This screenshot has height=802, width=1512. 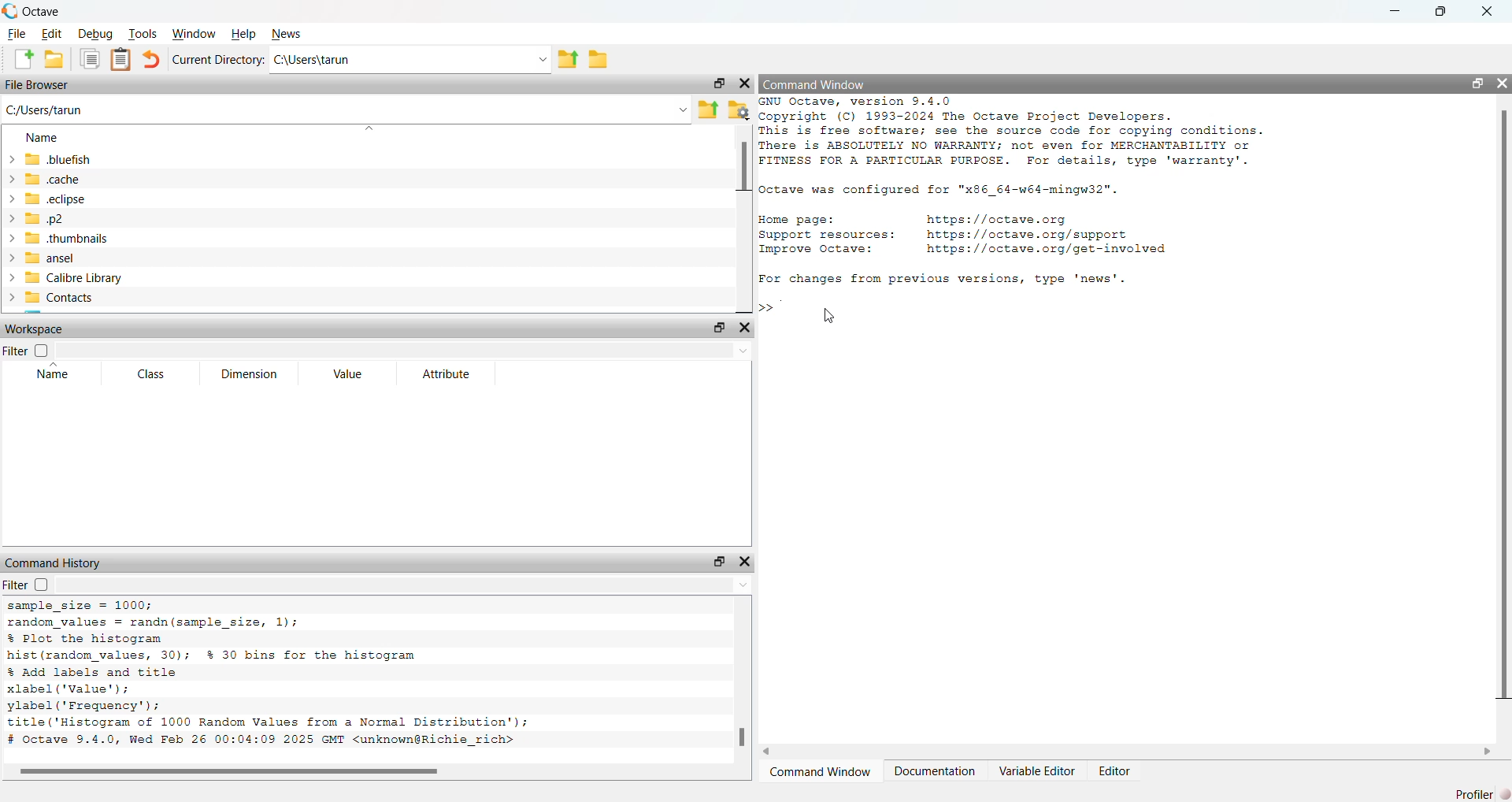 I want to click on New file, so click(x=23, y=58).